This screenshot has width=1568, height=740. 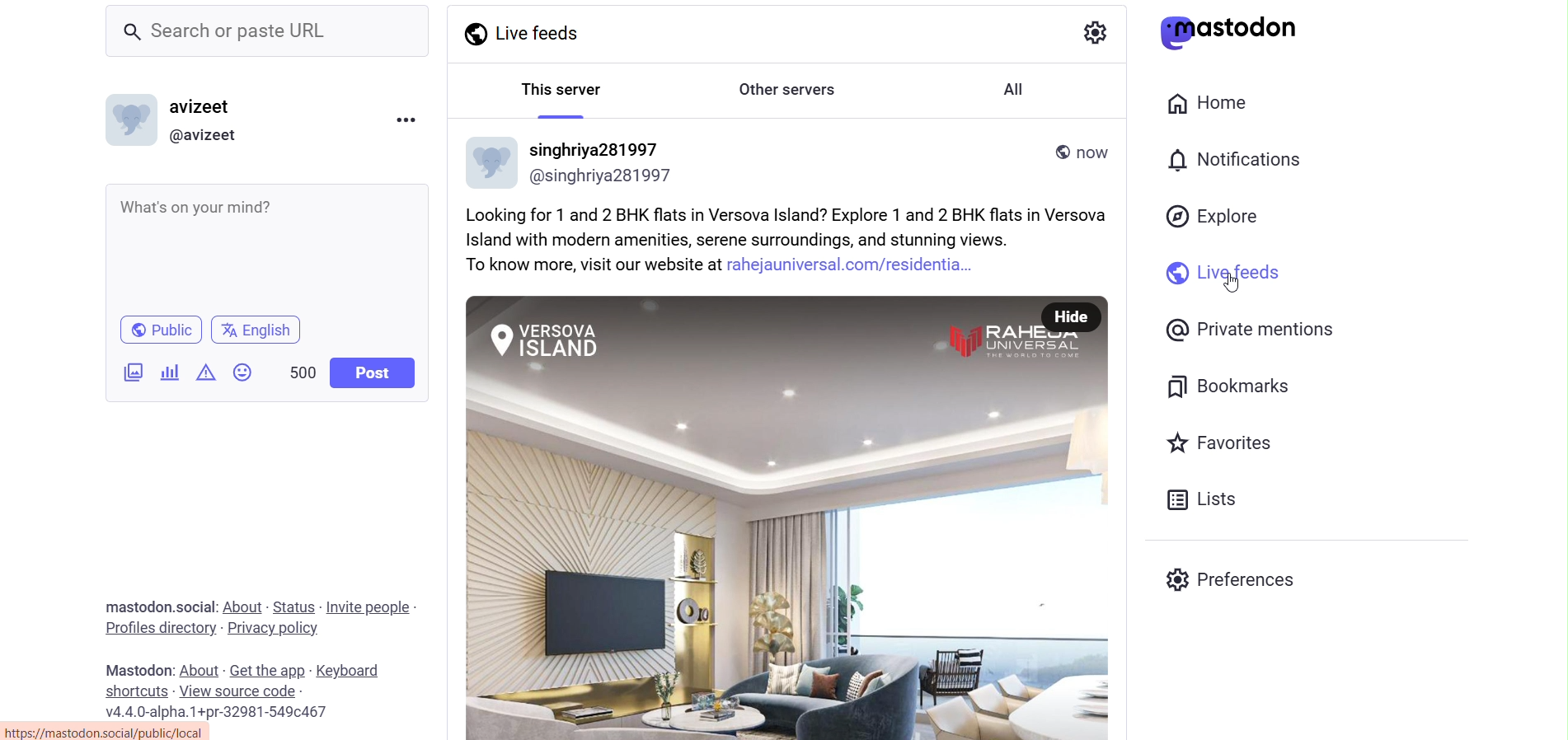 I want to click on Other Server, so click(x=790, y=90).